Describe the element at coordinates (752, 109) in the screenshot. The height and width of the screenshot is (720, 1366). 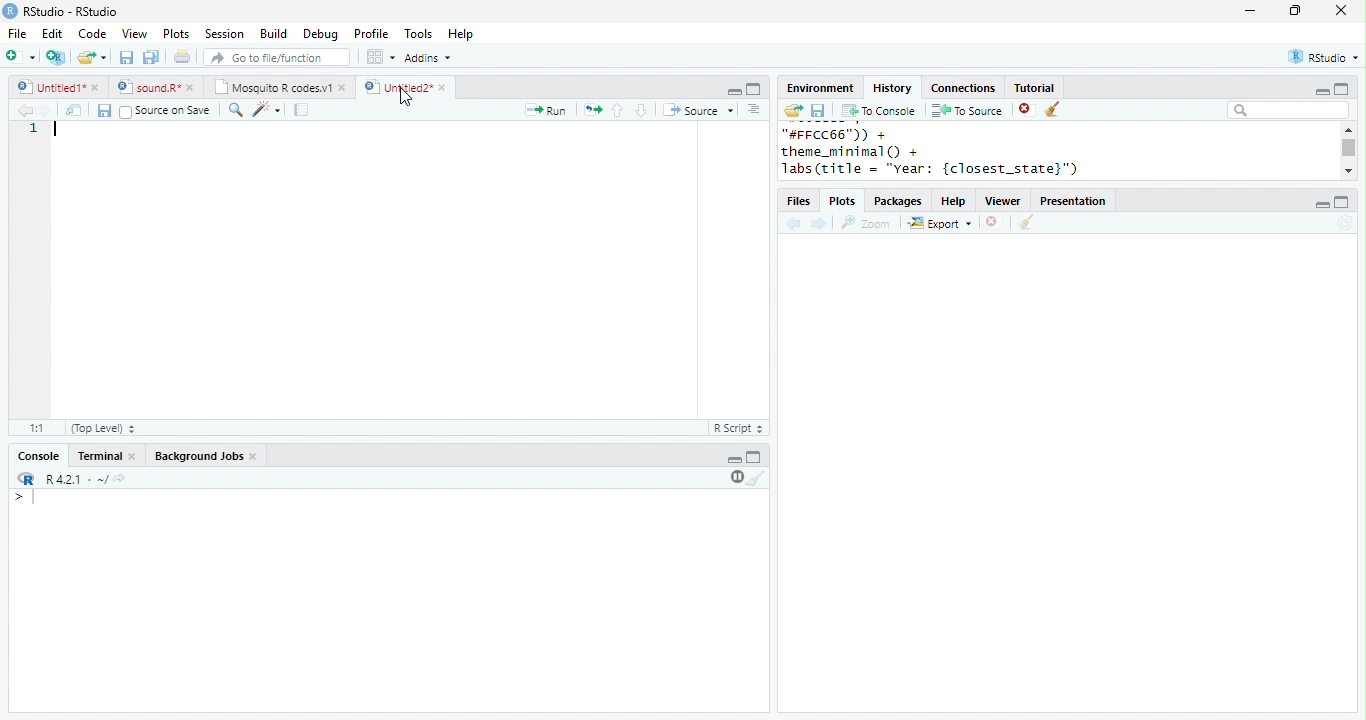
I see `options` at that location.